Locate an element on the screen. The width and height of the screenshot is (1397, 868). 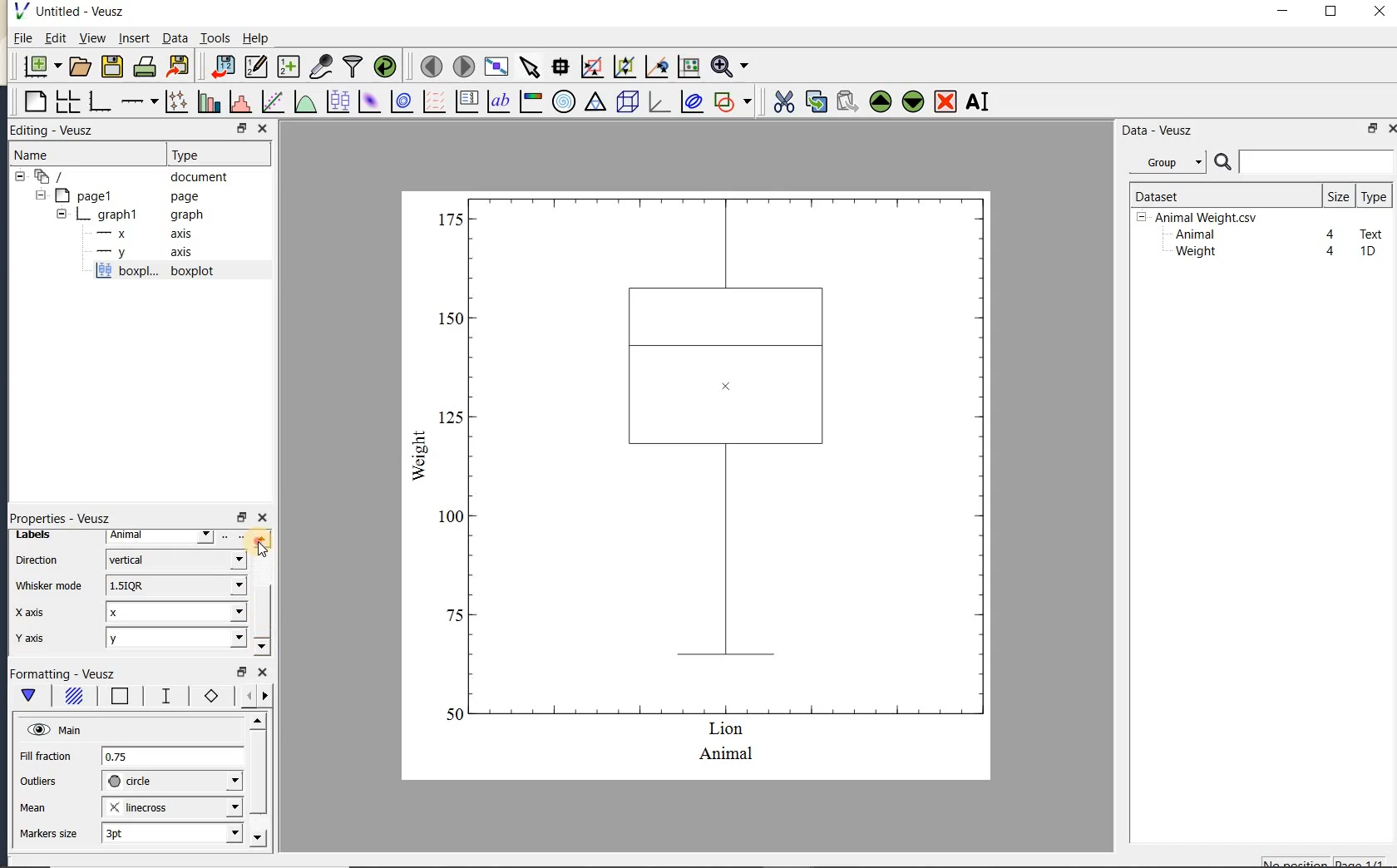
Data - Veusz is located at coordinates (1172, 163).